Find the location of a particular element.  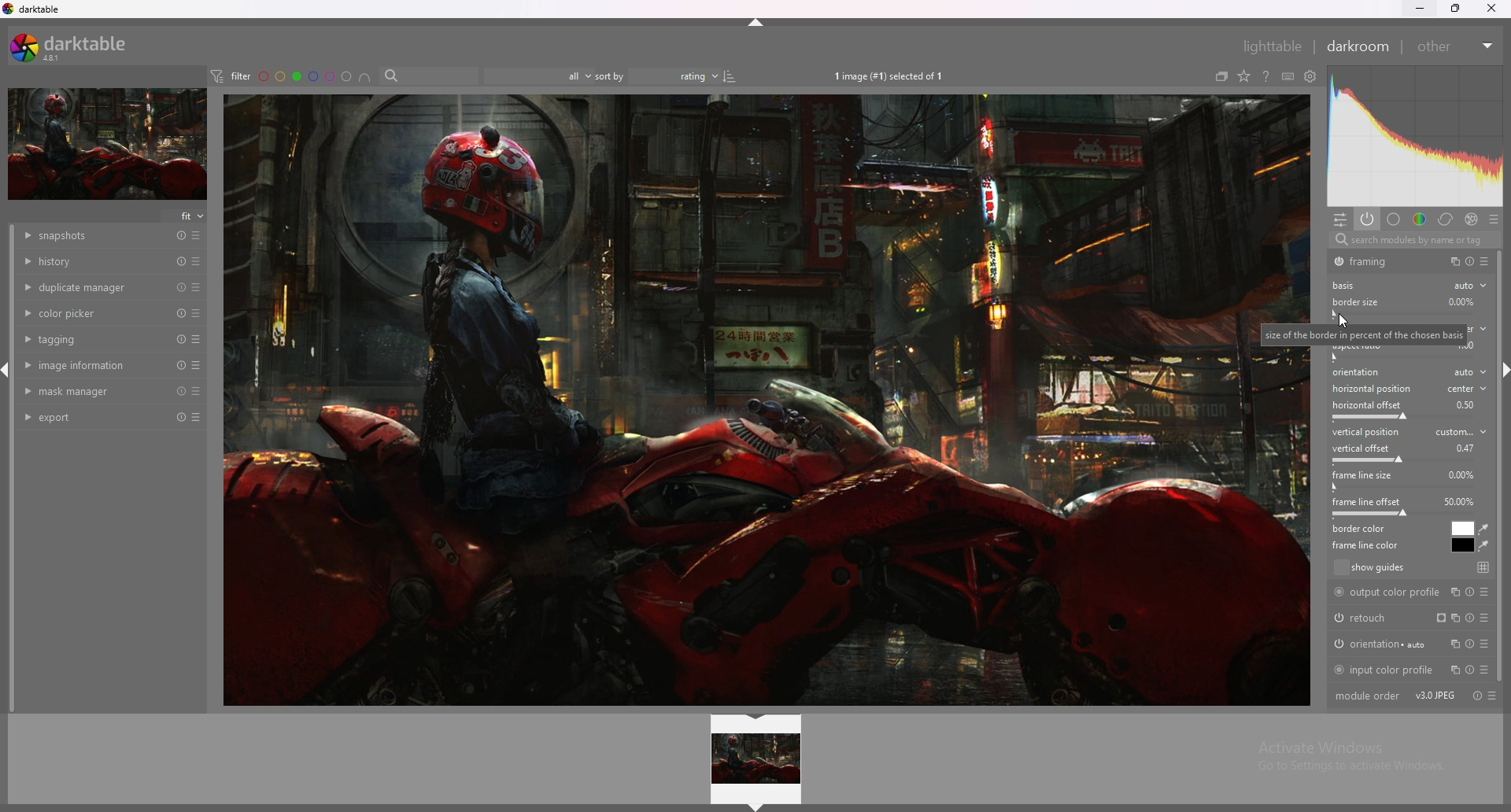

input color profile is located at coordinates (1409, 668).